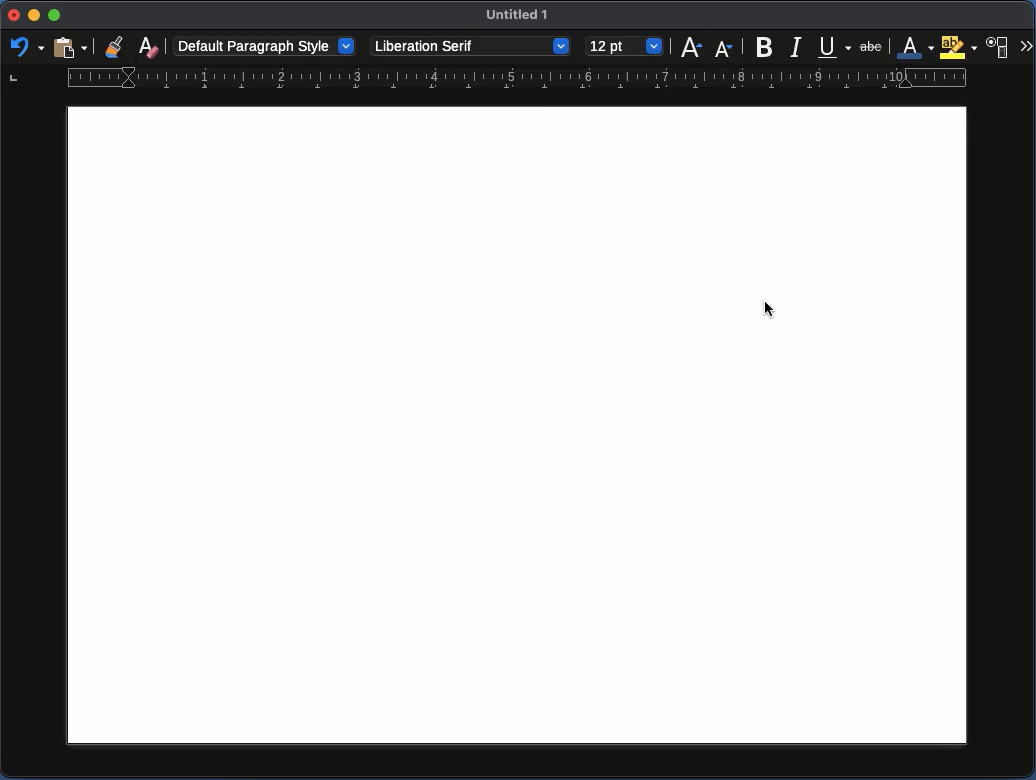  Describe the element at coordinates (770, 311) in the screenshot. I see `File saved` at that location.